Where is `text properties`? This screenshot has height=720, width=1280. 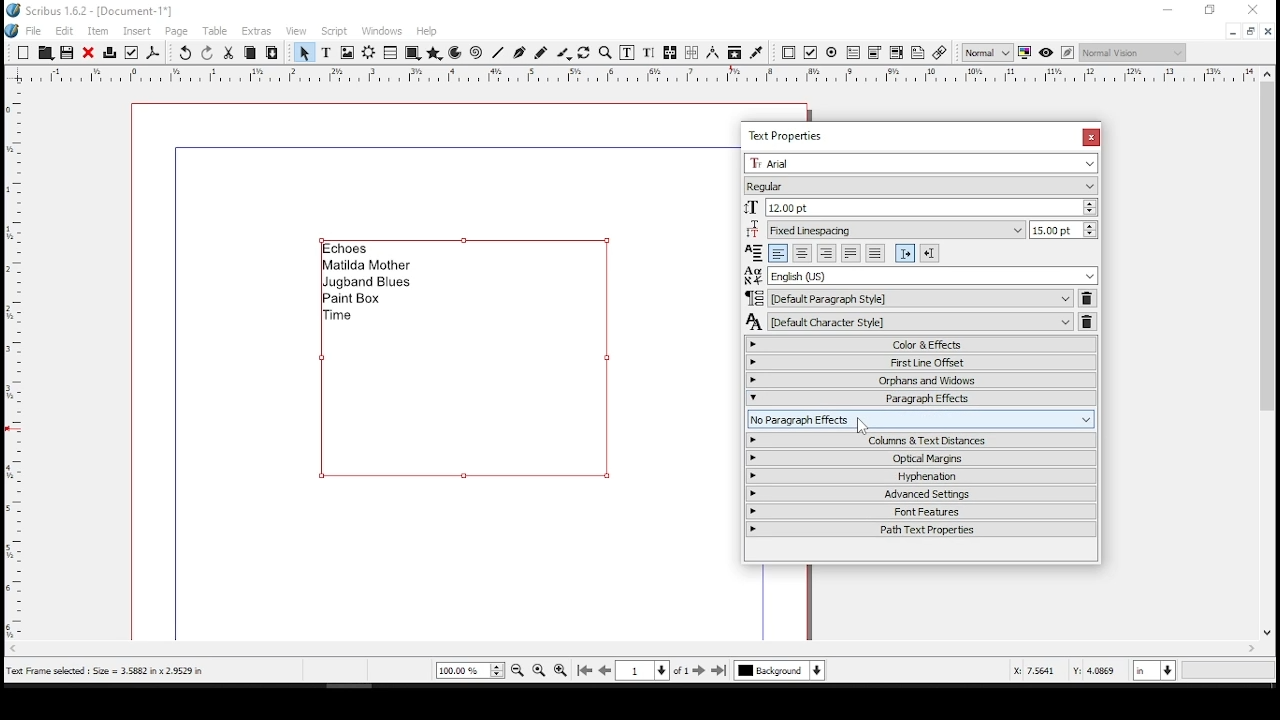
text properties is located at coordinates (790, 134).